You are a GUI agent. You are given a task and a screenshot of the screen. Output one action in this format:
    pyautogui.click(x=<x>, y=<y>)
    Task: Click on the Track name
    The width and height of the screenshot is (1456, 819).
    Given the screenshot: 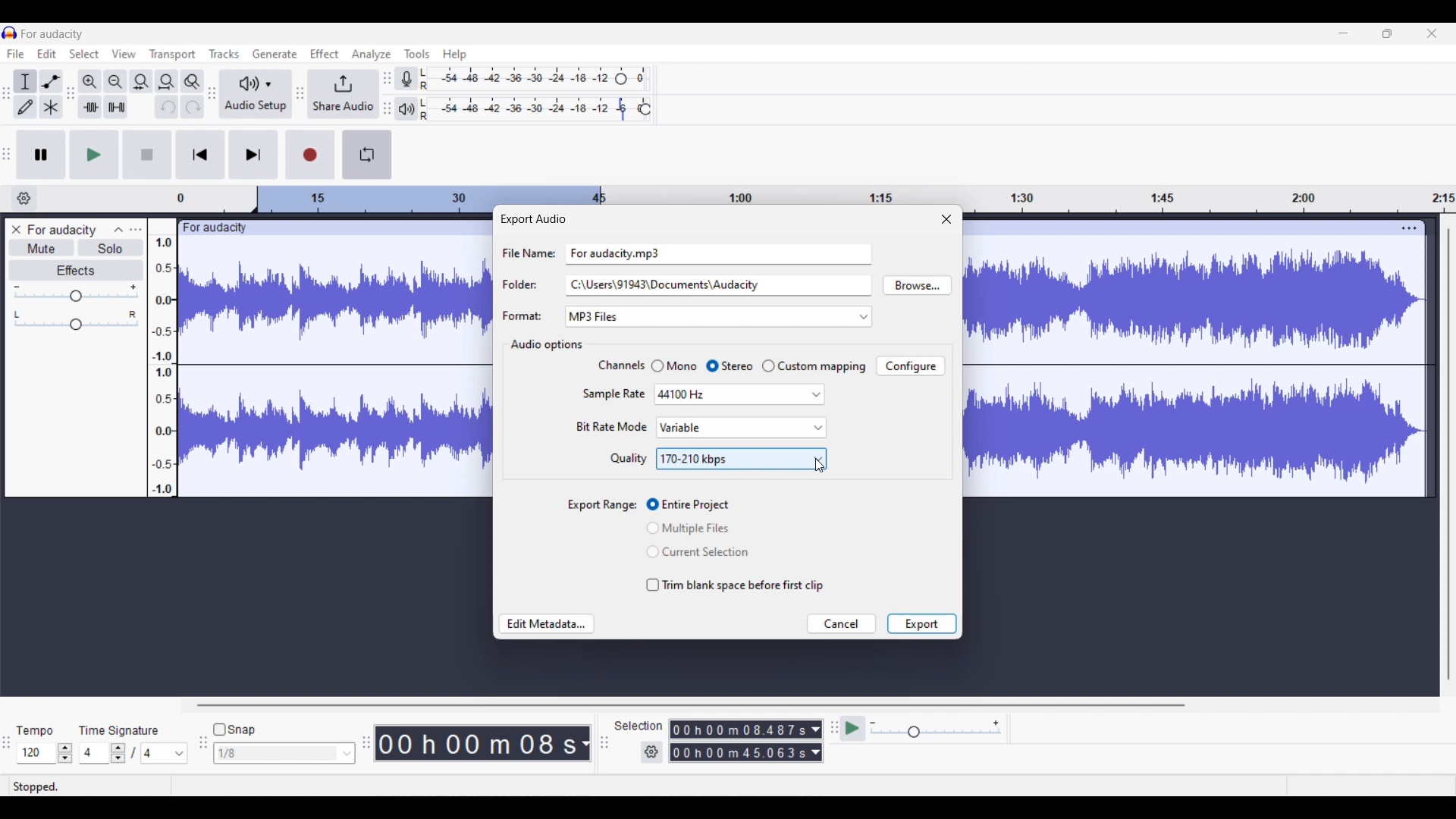 What is the action you would take?
    pyautogui.click(x=63, y=230)
    